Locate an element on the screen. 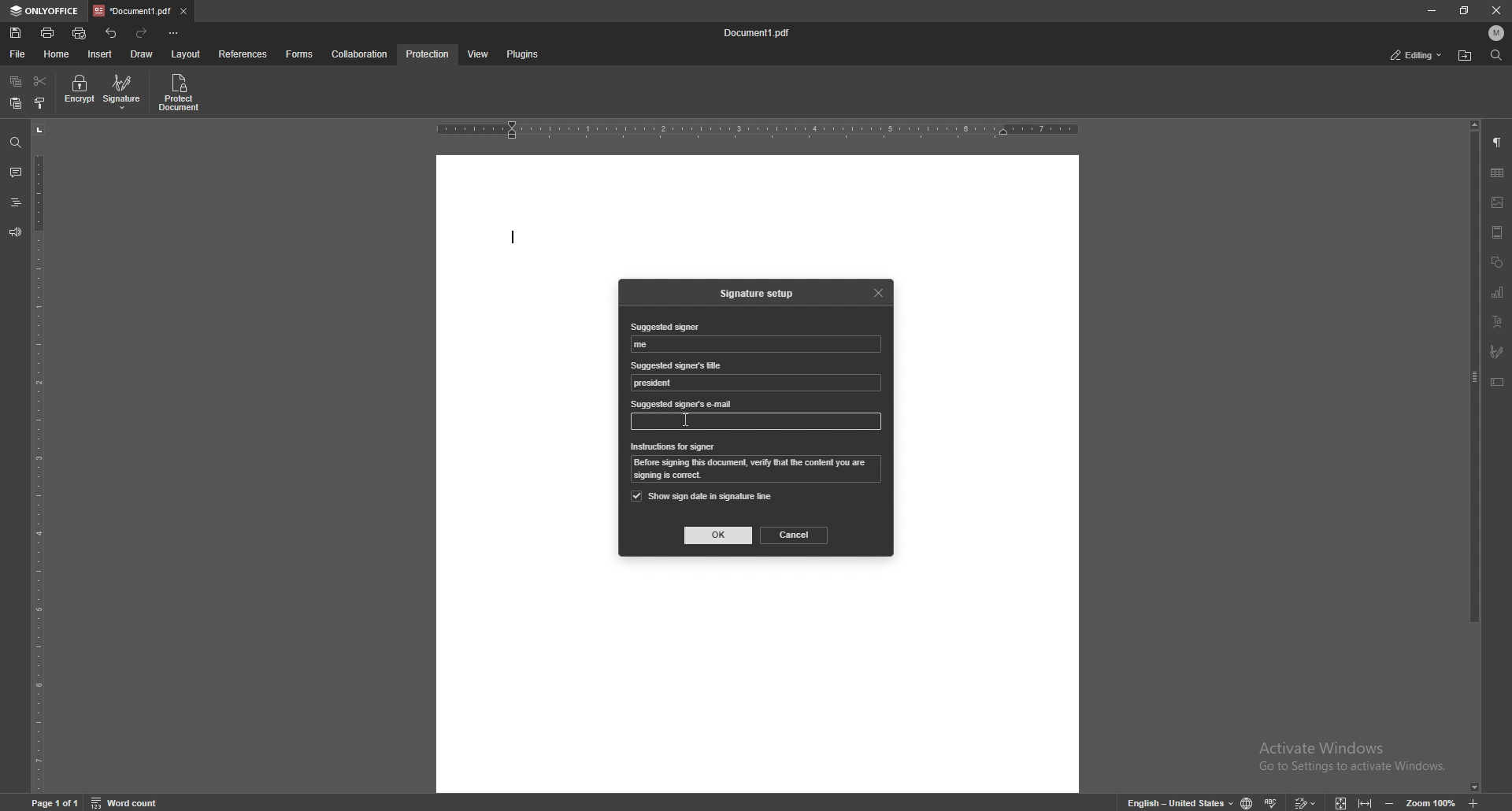 The image size is (1512, 811). instrauctions for signer is located at coordinates (673, 447).